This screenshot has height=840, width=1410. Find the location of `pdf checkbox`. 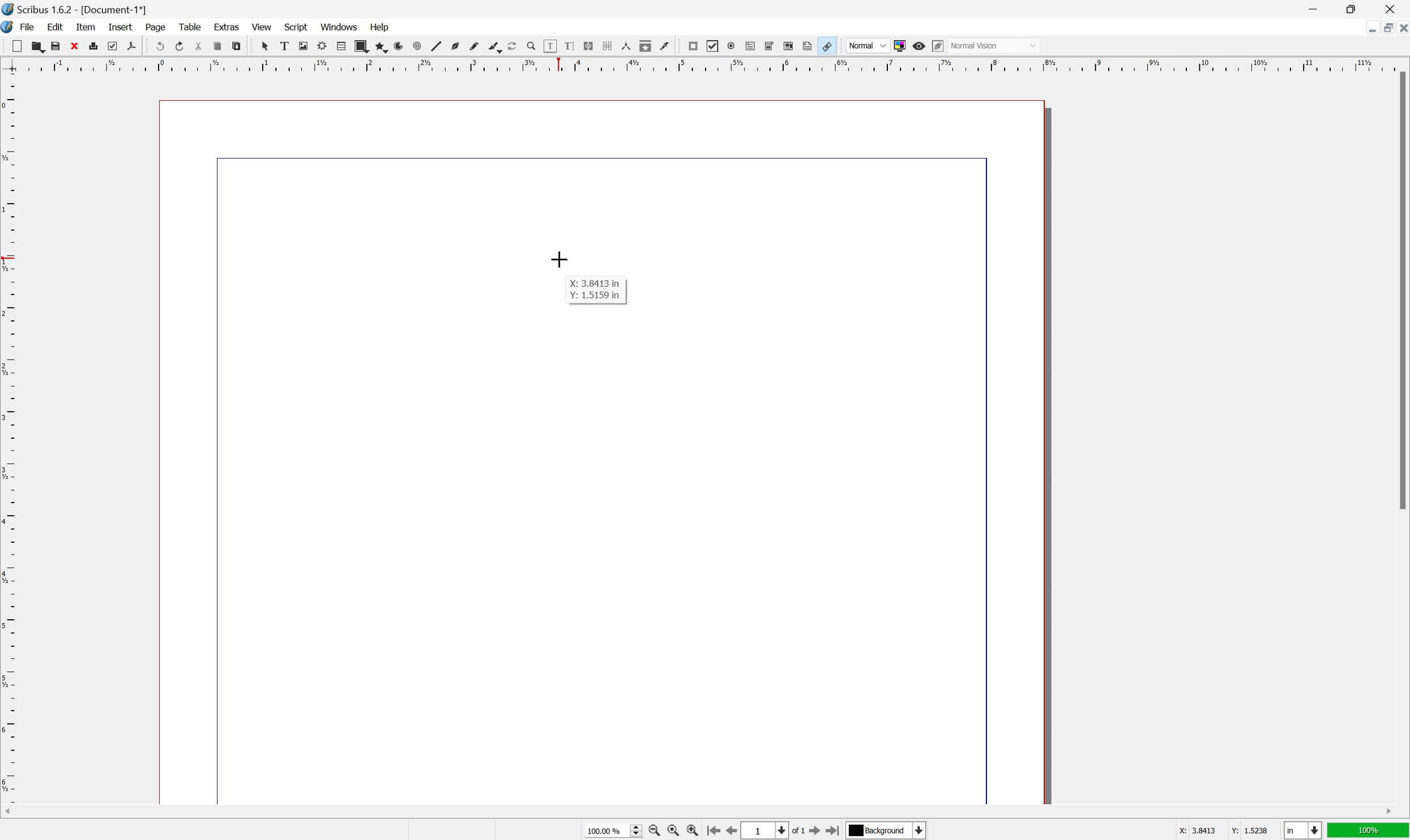

pdf checkbox is located at coordinates (713, 47).